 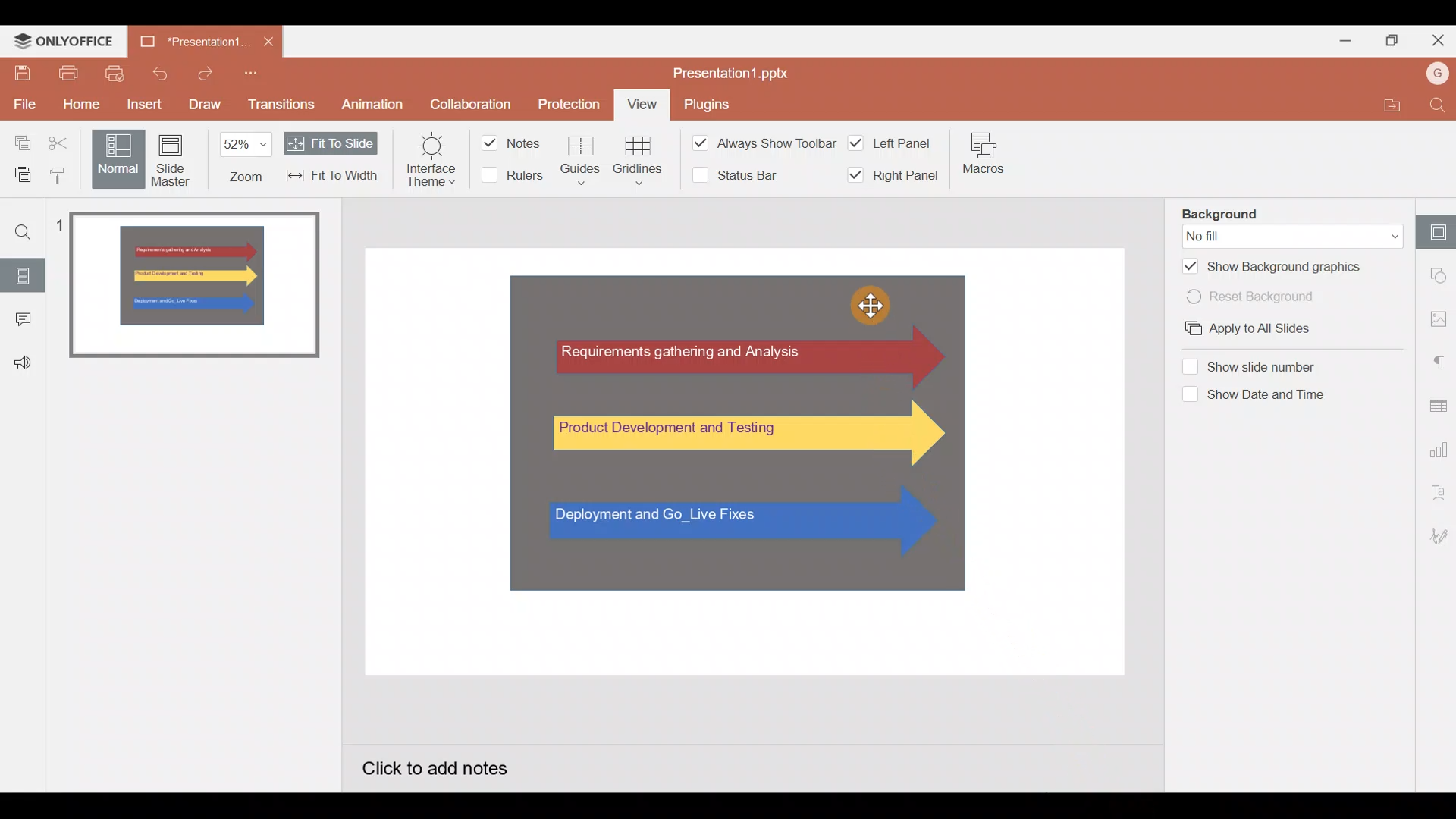 What do you see at coordinates (425, 162) in the screenshot?
I see `Interface theme` at bounding box center [425, 162].